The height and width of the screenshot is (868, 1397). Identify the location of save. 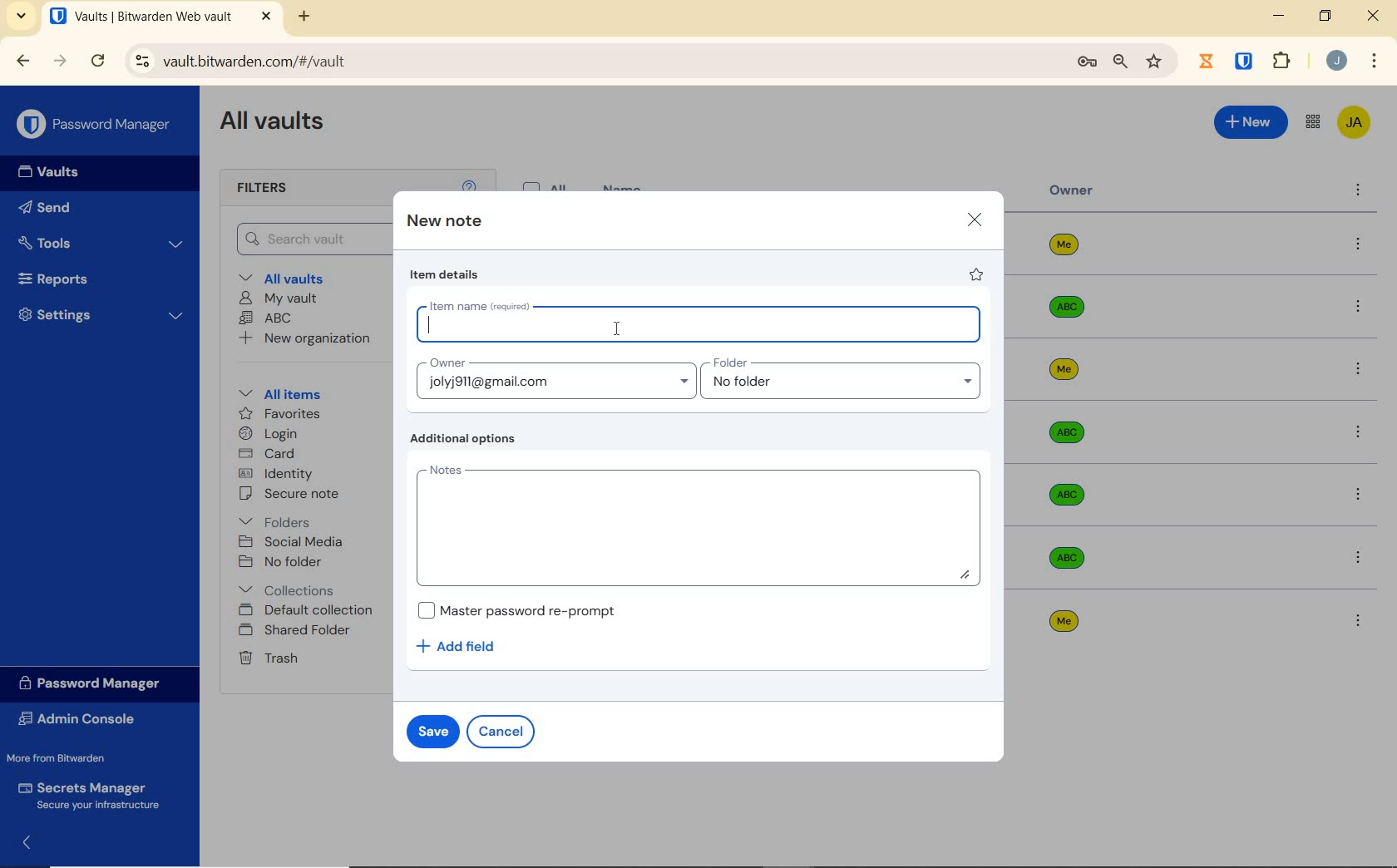
(433, 730).